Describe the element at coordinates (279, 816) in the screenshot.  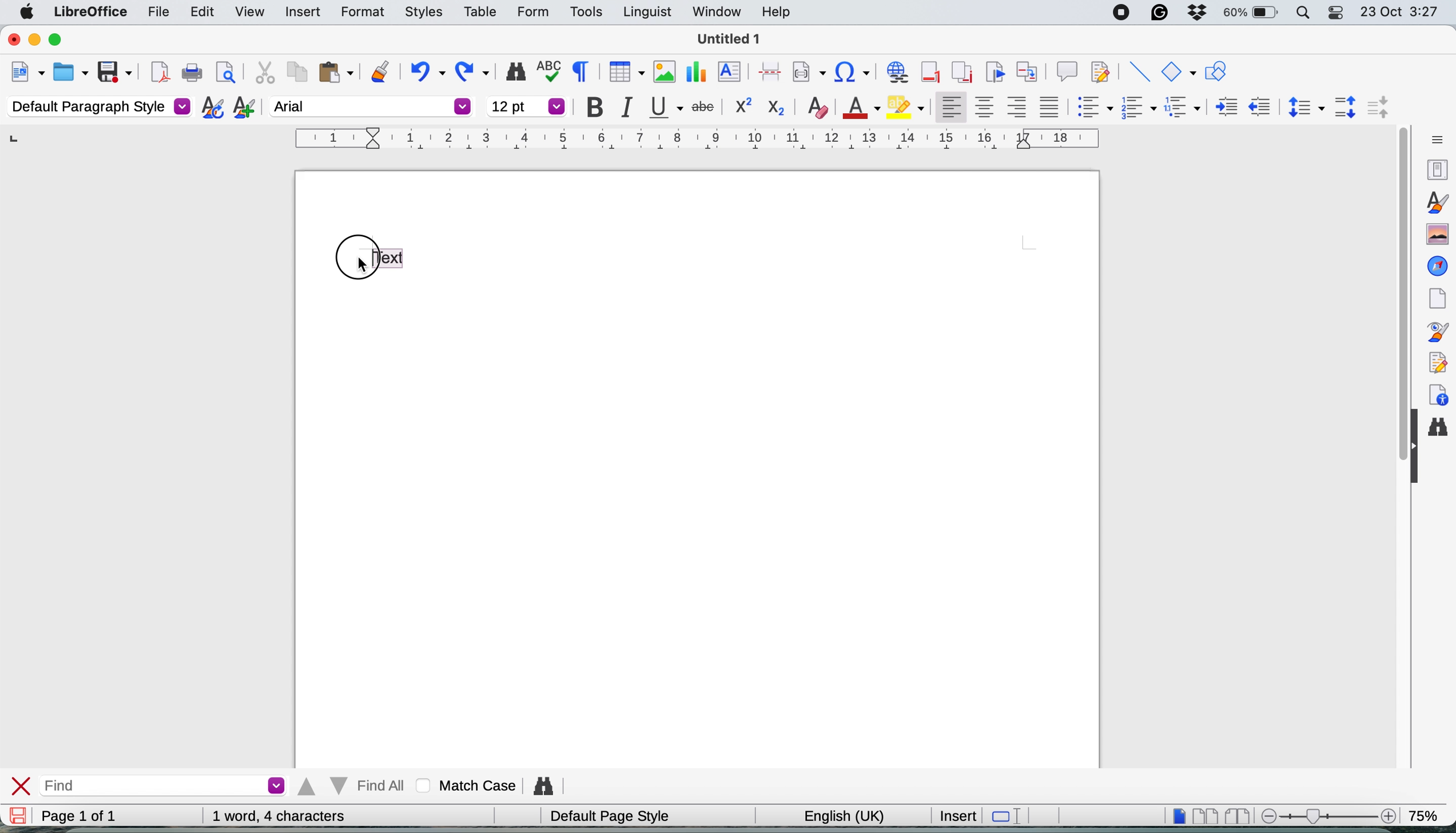
I see `word and character count` at that location.